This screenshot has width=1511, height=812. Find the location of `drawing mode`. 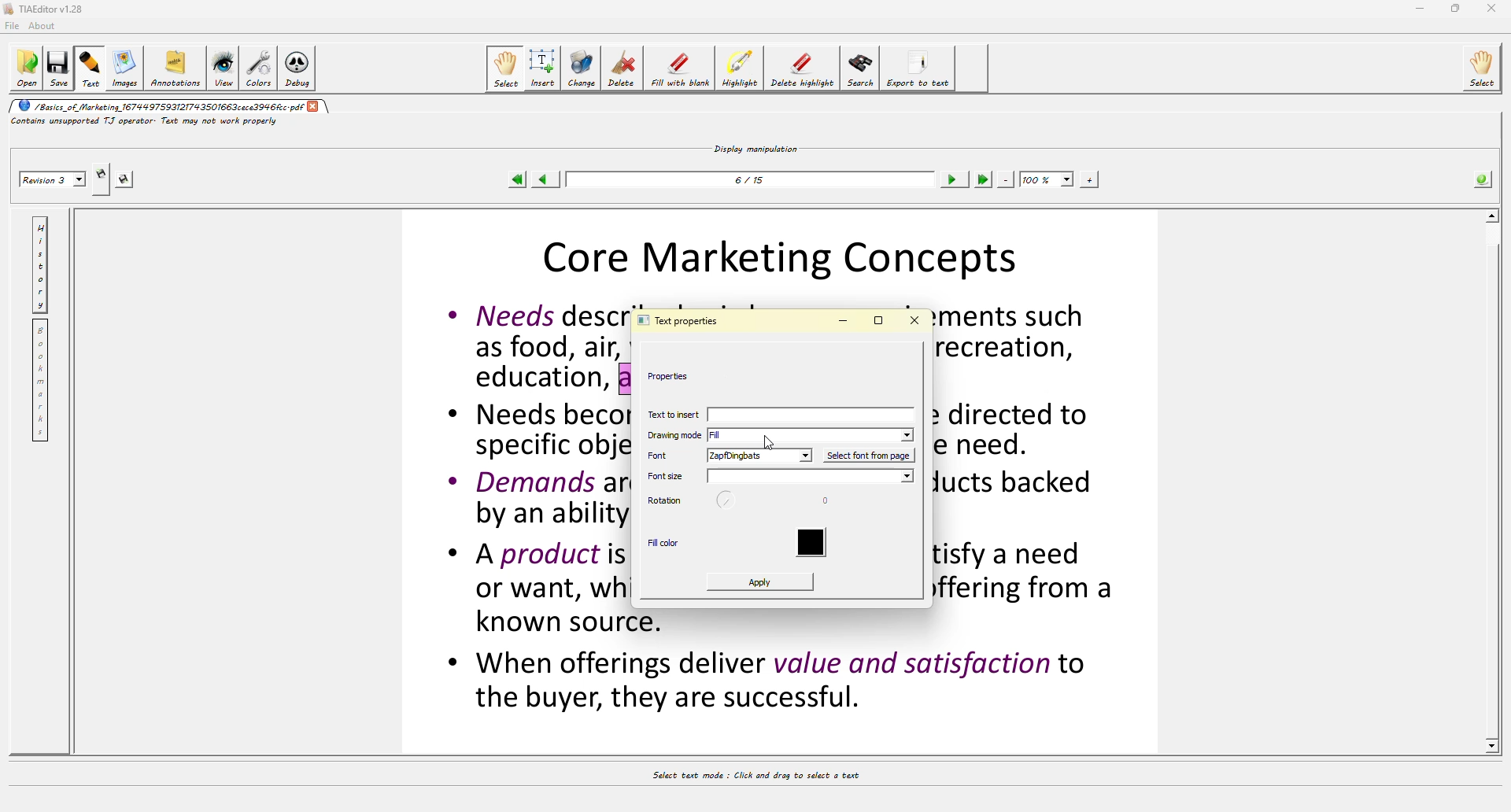

drawing mode is located at coordinates (909, 434).